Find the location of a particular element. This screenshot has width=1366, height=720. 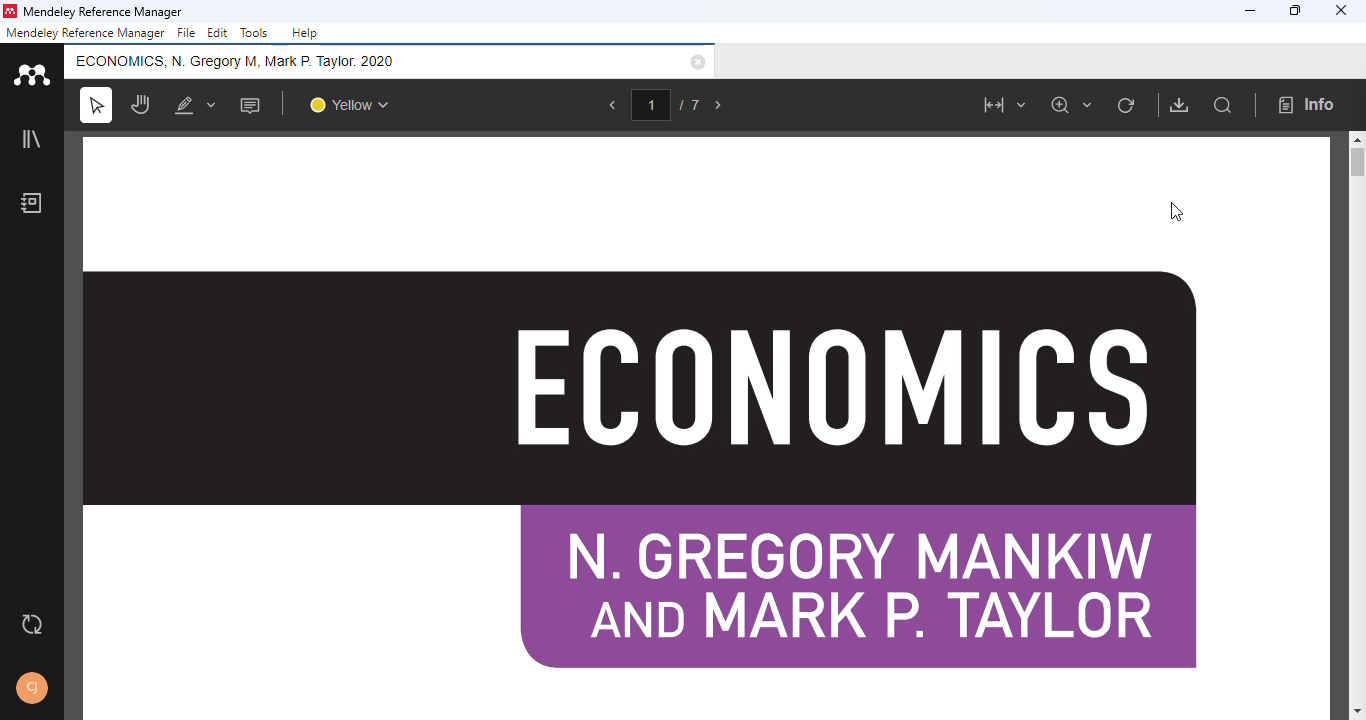

select is located at coordinates (96, 105).